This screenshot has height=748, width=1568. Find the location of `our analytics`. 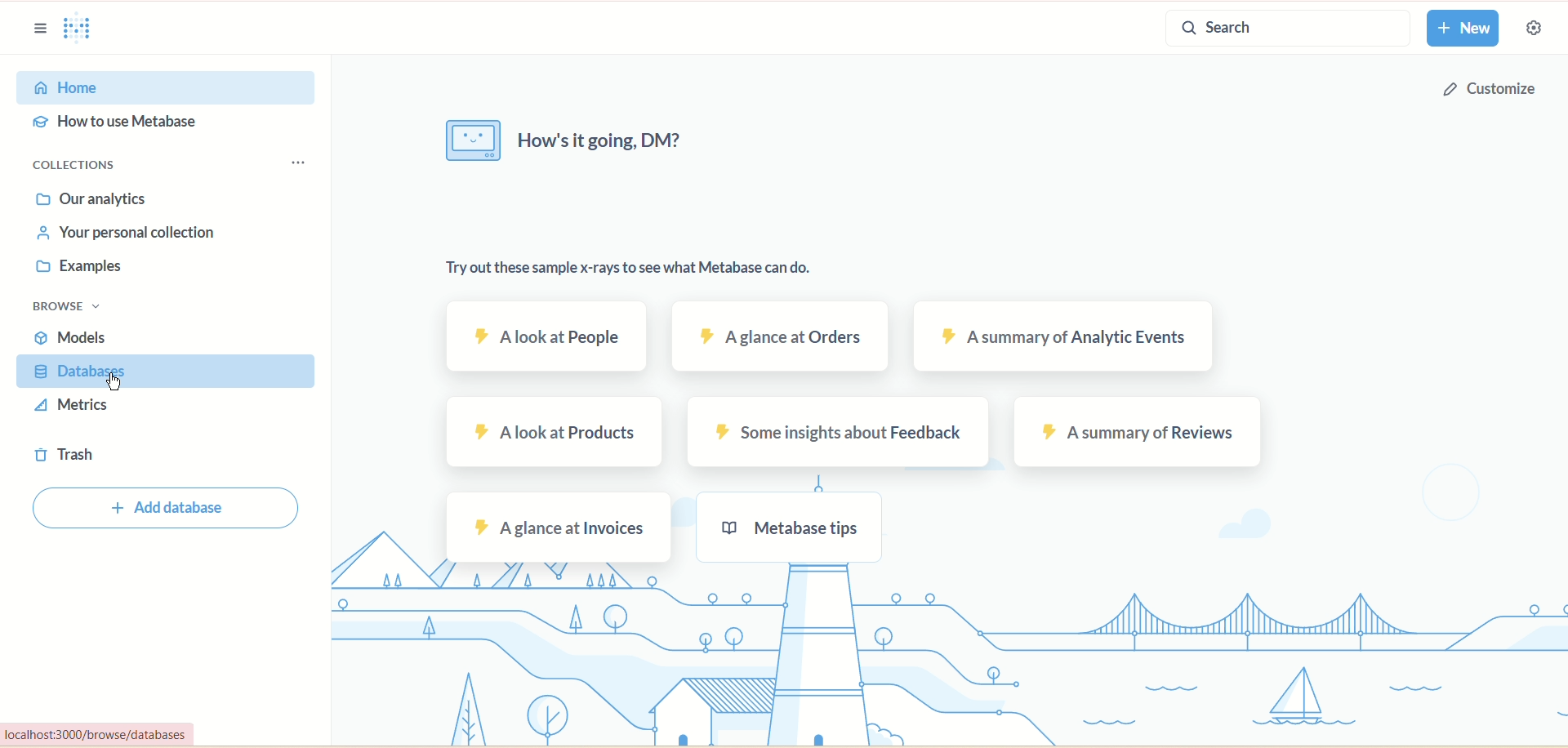

our analytics is located at coordinates (91, 198).